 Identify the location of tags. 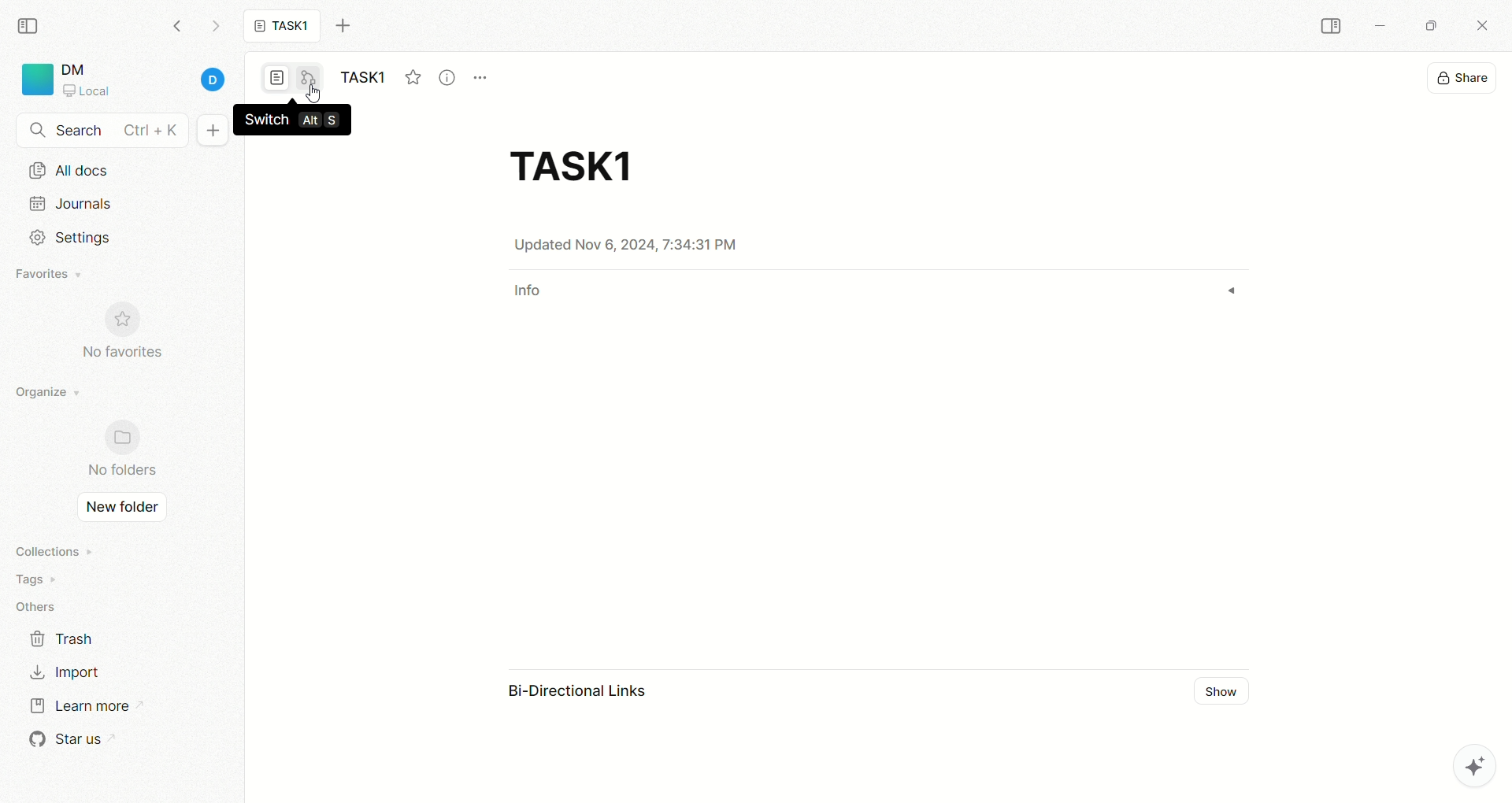
(31, 579).